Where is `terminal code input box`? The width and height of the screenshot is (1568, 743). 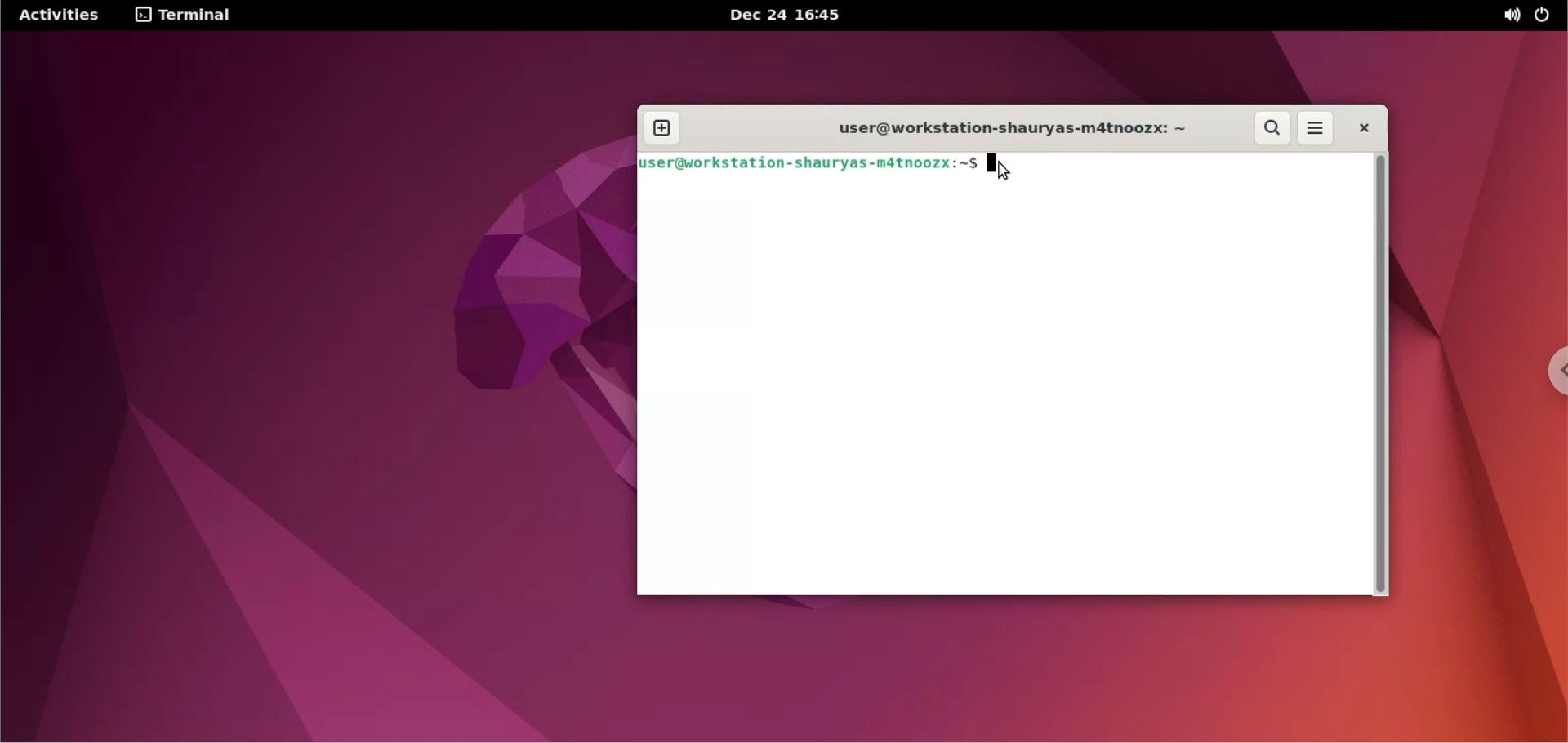
terminal code input box is located at coordinates (1002, 388).